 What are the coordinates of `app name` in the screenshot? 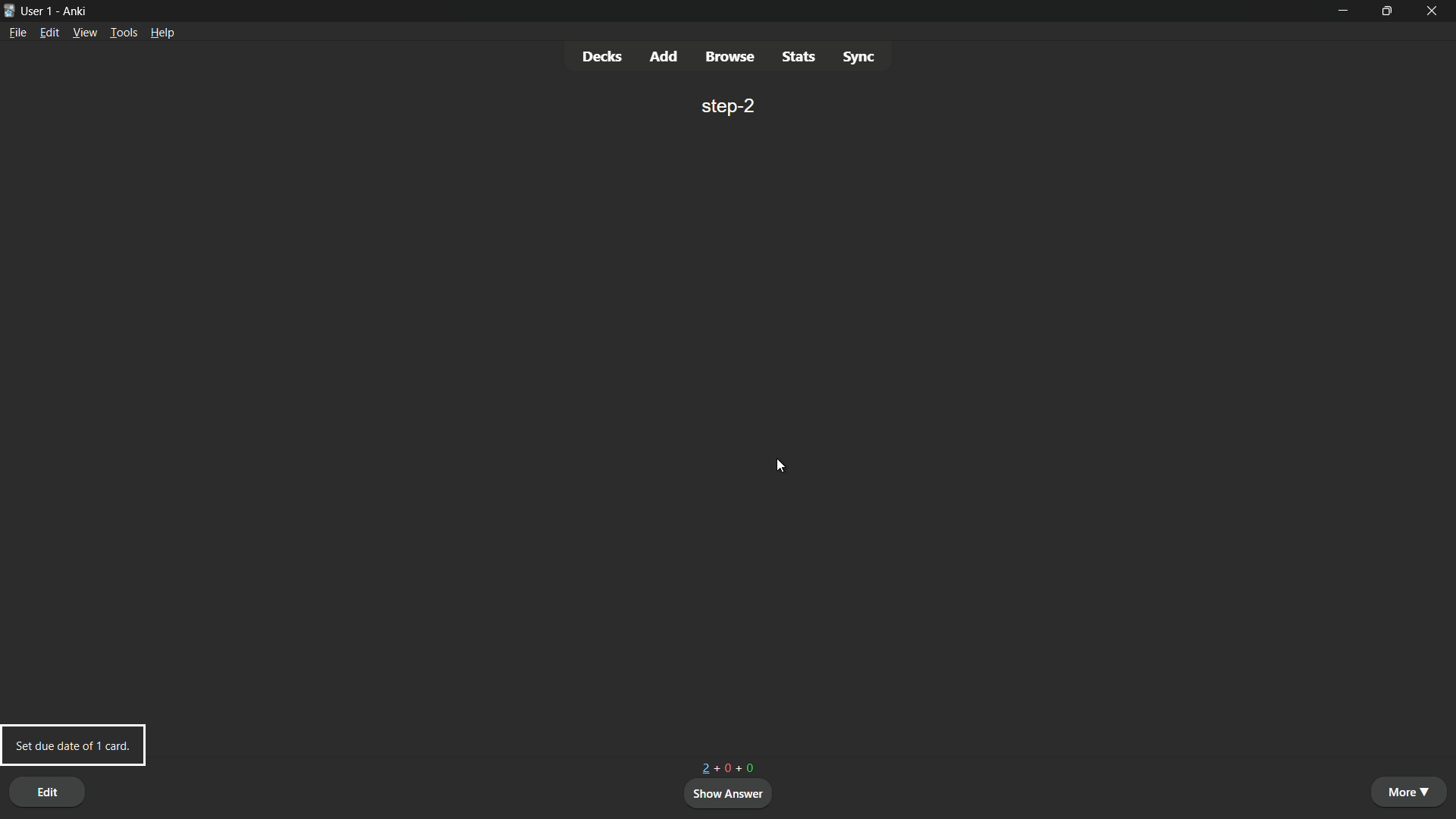 It's located at (76, 12).